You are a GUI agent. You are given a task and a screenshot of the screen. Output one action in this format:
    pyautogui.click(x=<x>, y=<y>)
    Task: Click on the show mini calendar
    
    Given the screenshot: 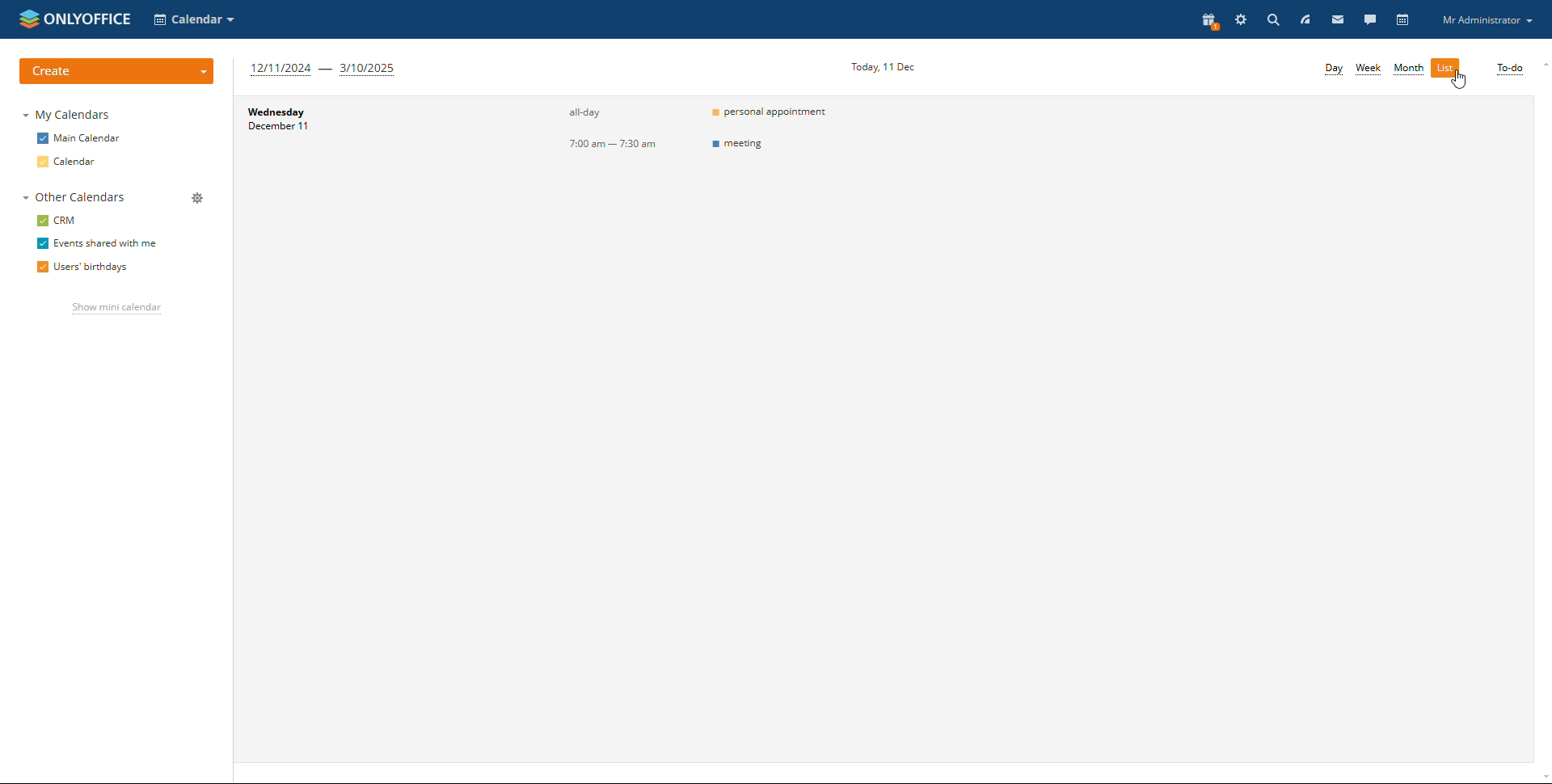 What is the action you would take?
    pyautogui.click(x=116, y=309)
    